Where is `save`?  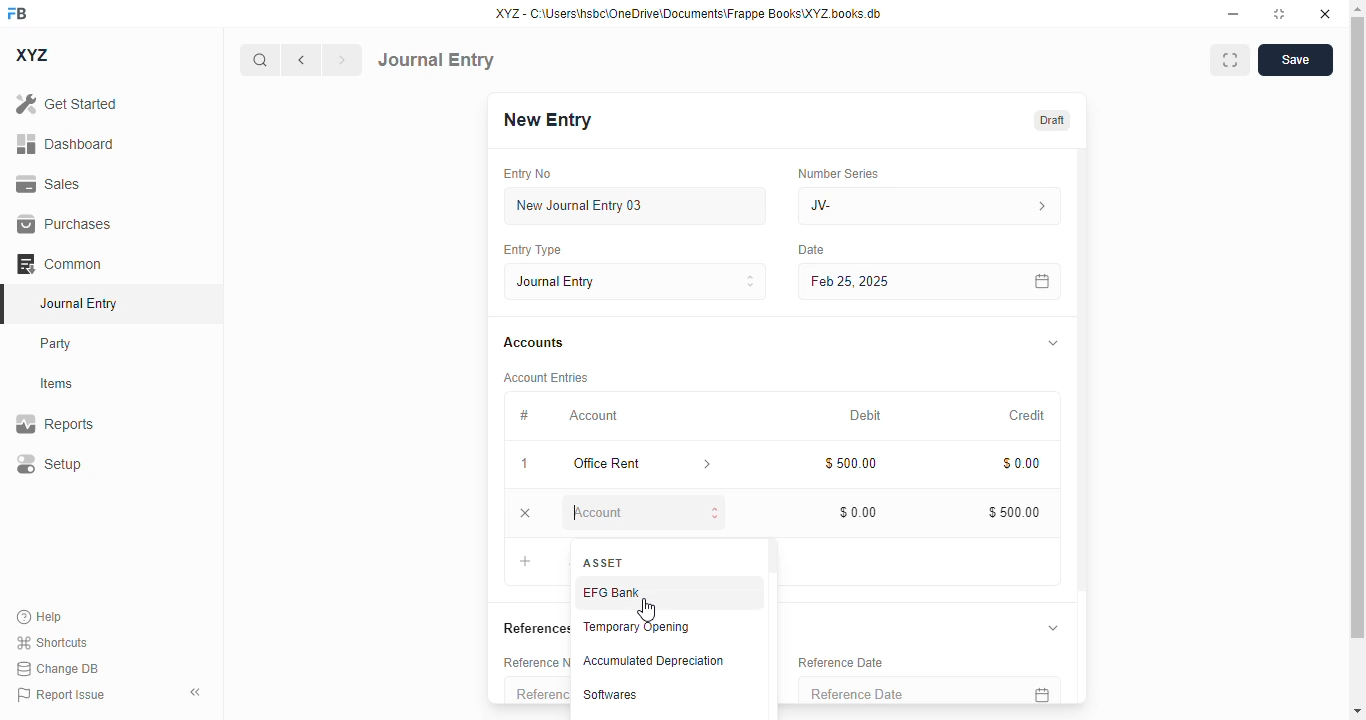
save is located at coordinates (1296, 60).